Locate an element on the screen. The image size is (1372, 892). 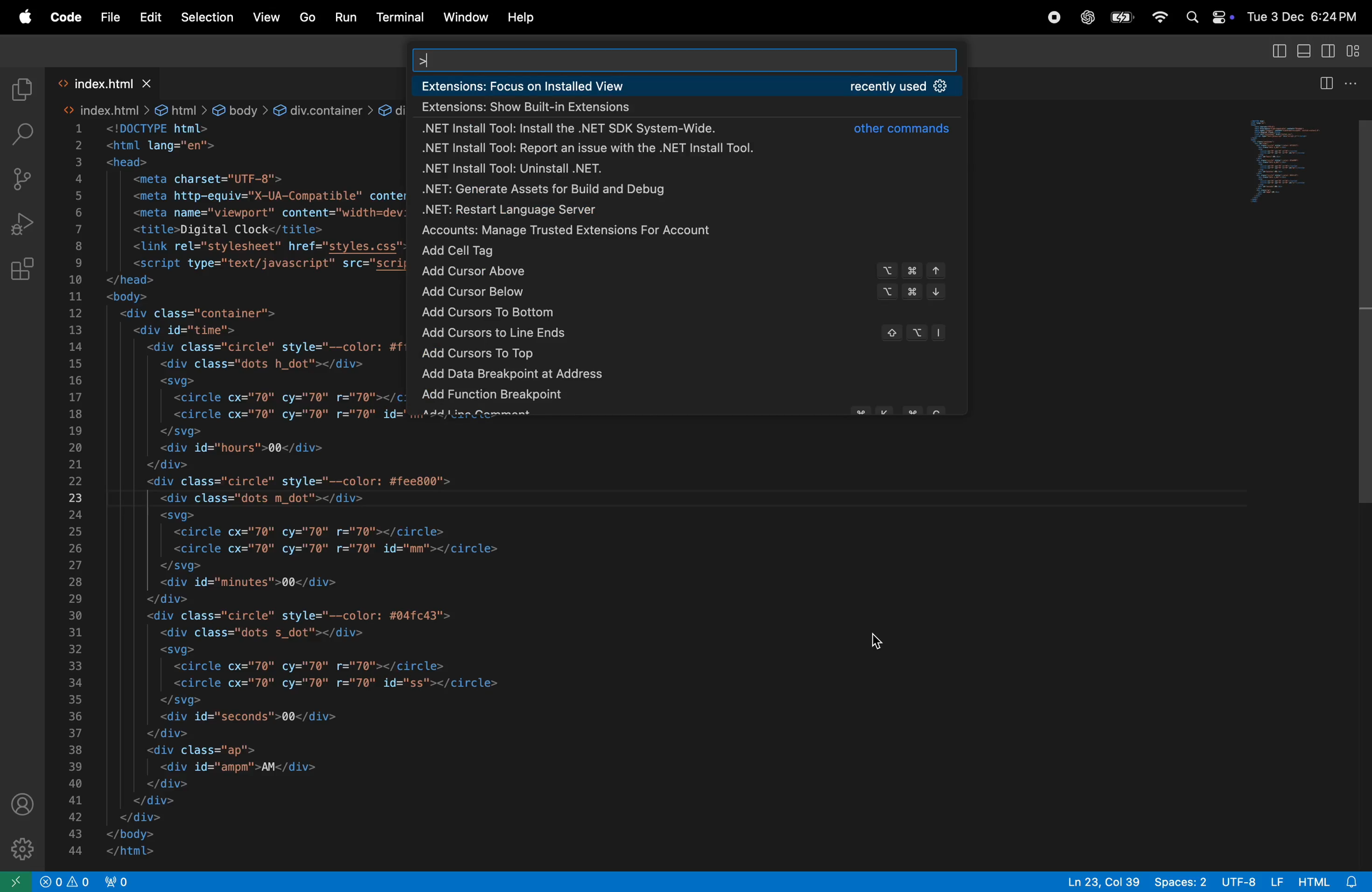
add cell tag is located at coordinates (687, 252).